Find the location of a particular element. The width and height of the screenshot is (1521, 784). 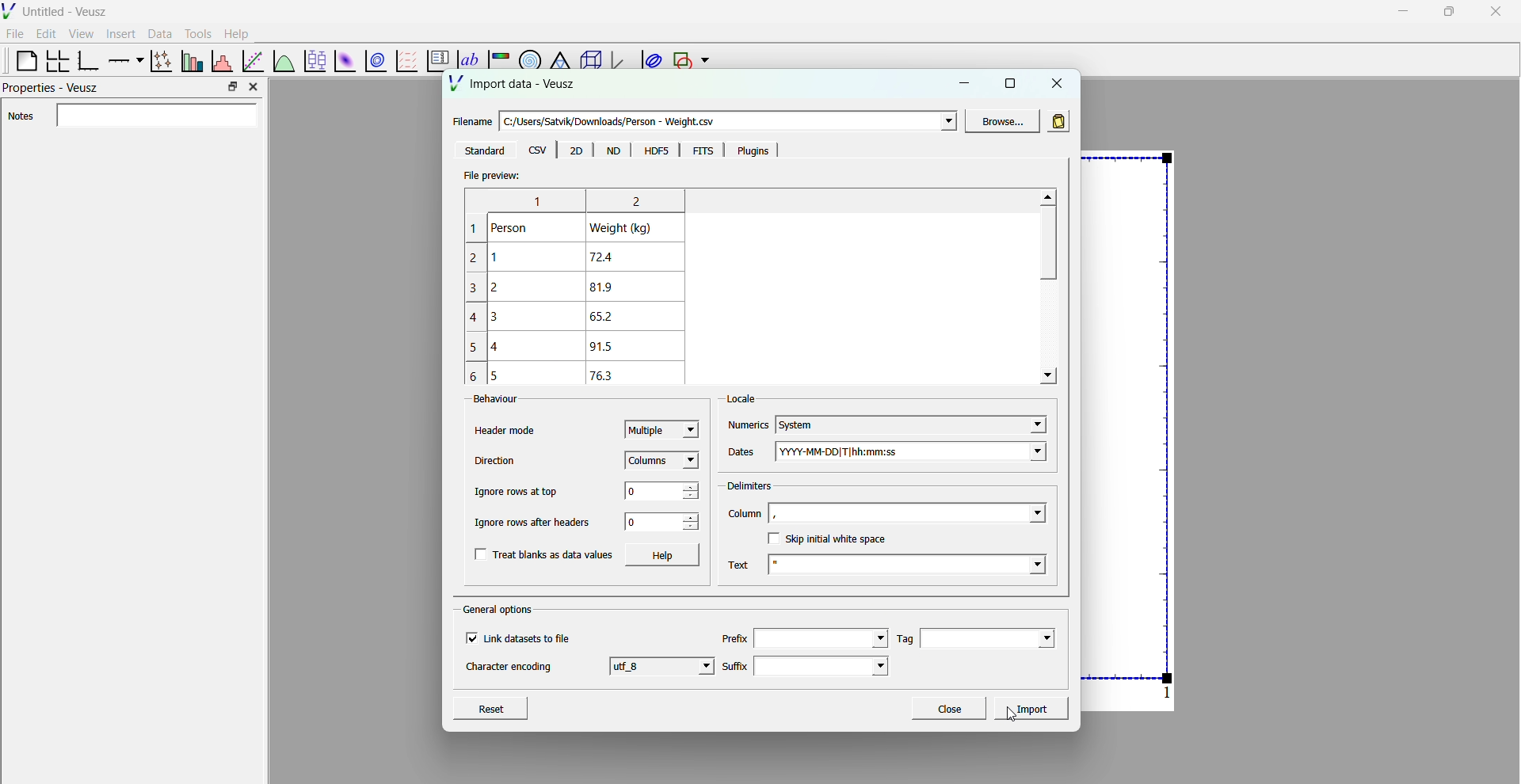

maximize is located at coordinates (1009, 83).